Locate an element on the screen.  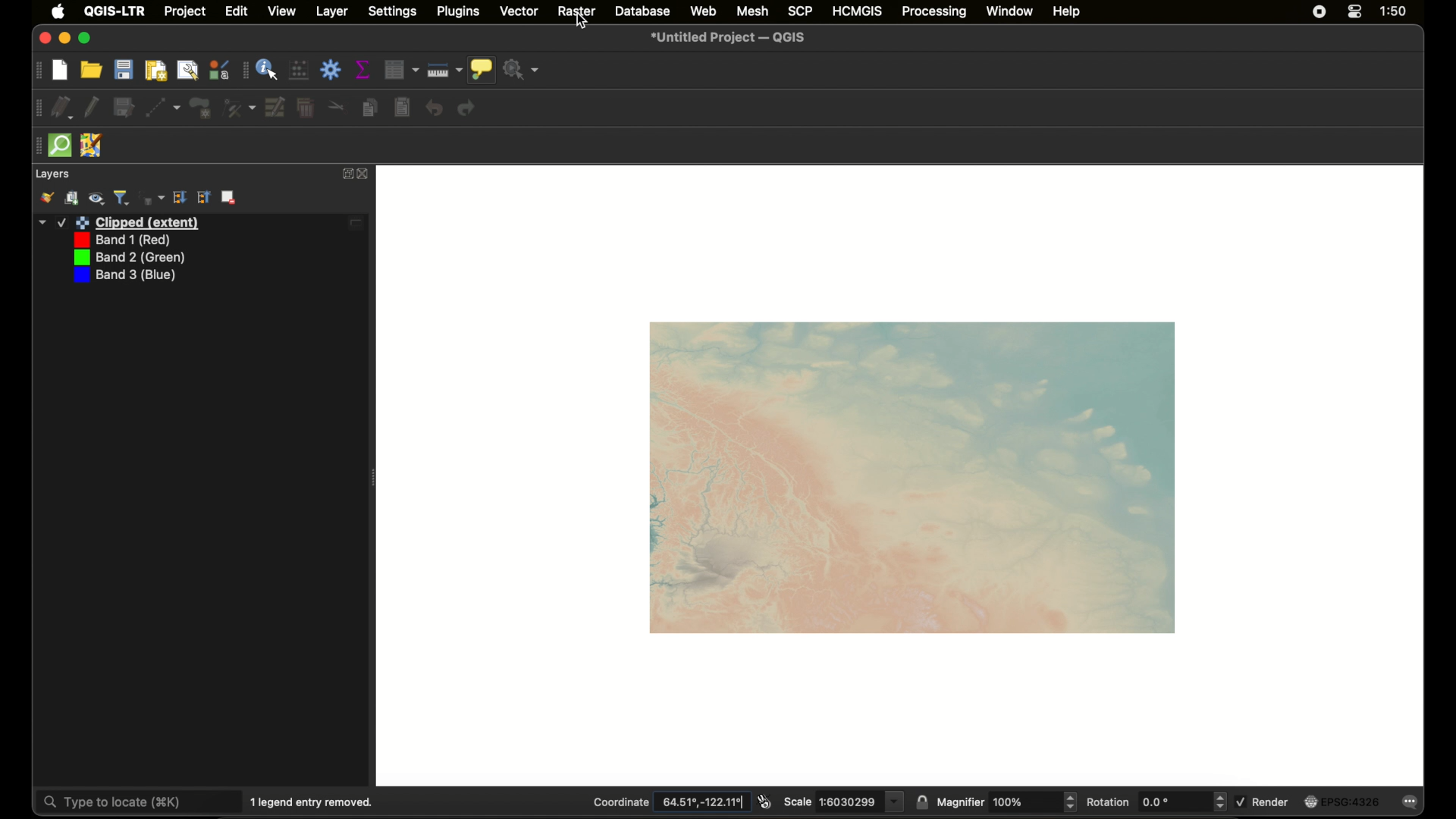
raster map is located at coordinates (912, 479).